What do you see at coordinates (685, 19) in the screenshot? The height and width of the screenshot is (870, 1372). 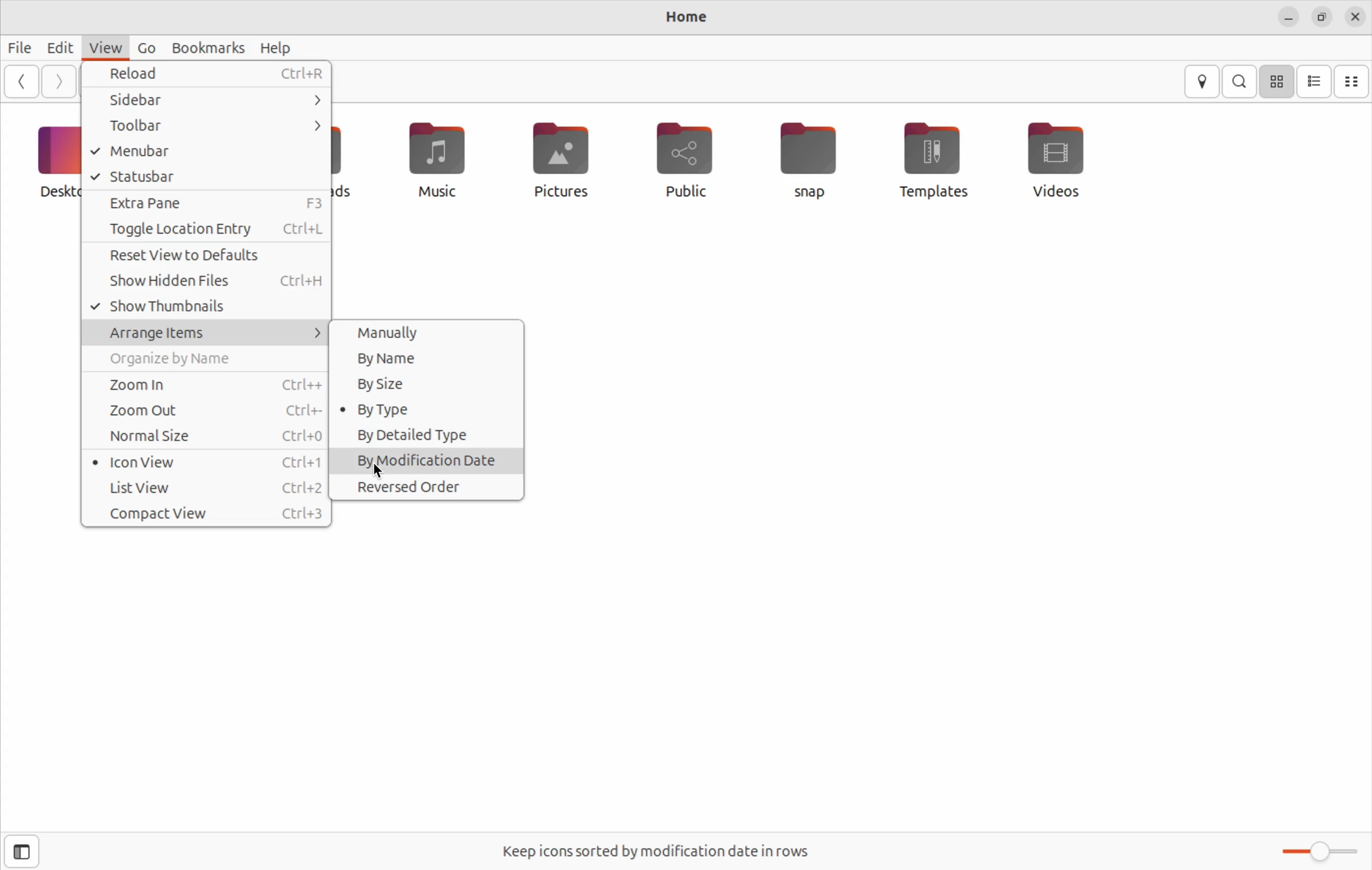 I see `home` at bounding box center [685, 19].